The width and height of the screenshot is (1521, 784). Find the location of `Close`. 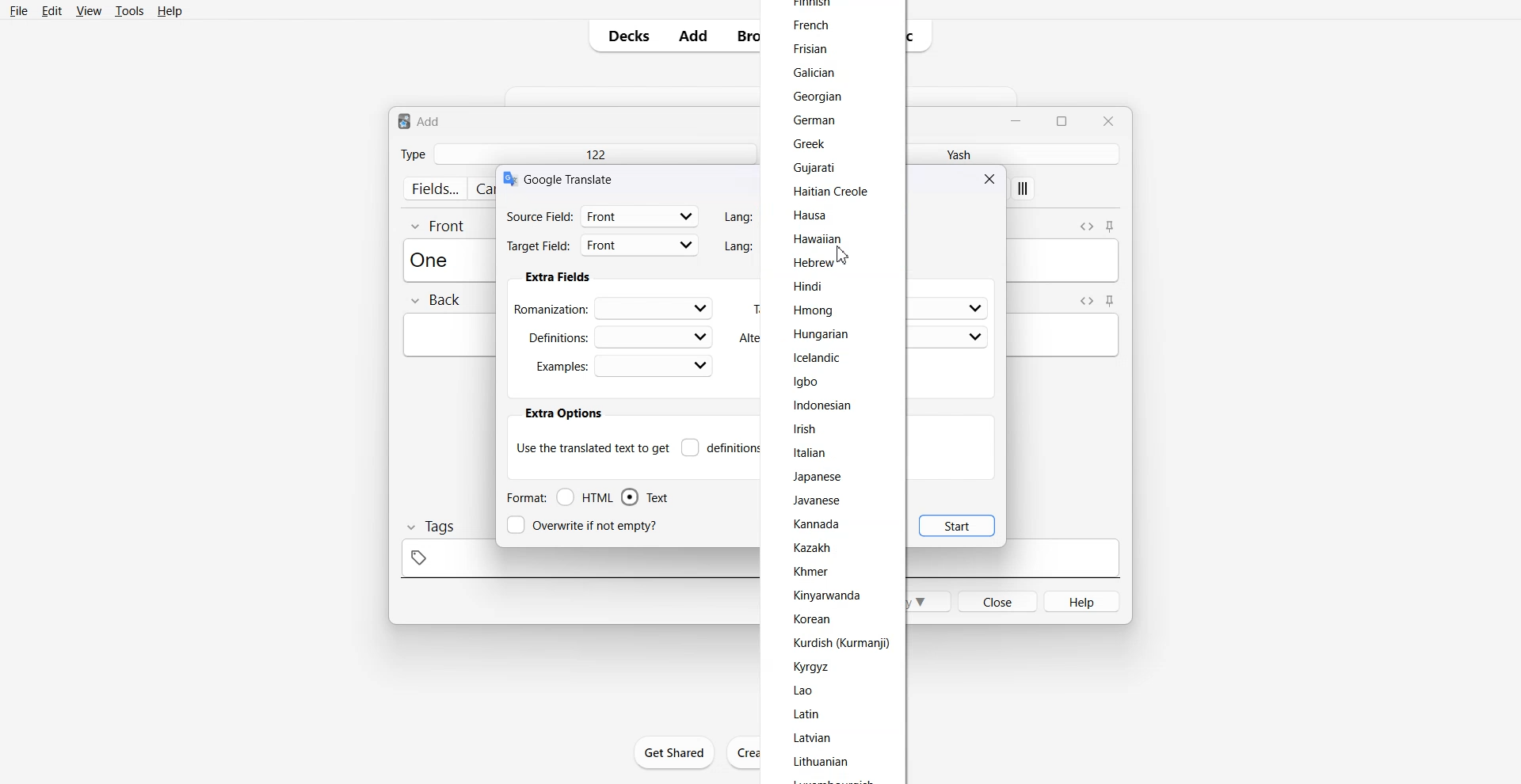

Close is located at coordinates (997, 600).